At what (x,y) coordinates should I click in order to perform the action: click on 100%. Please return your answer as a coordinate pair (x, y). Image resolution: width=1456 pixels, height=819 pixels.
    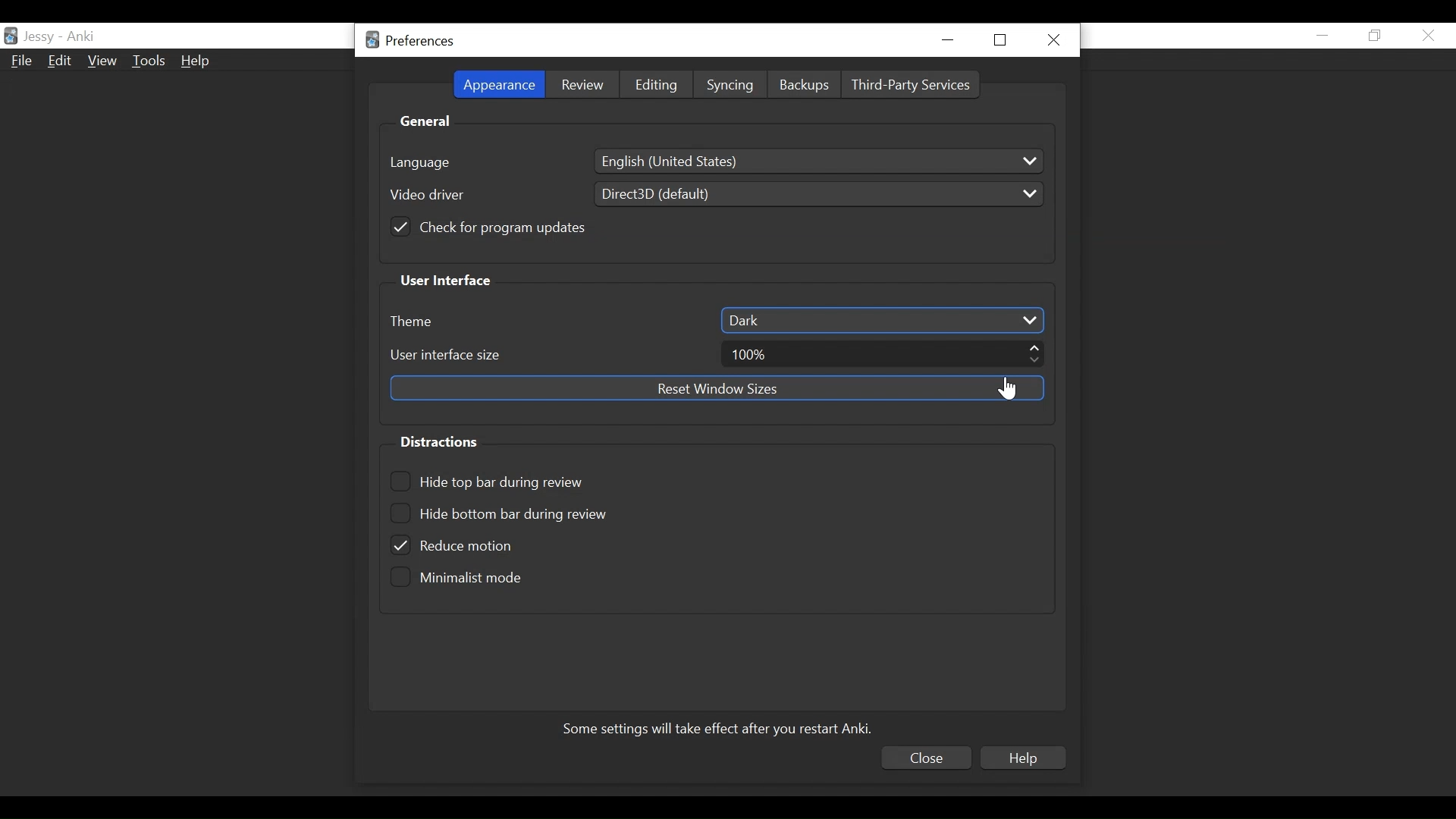
    Looking at the image, I should click on (884, 353).